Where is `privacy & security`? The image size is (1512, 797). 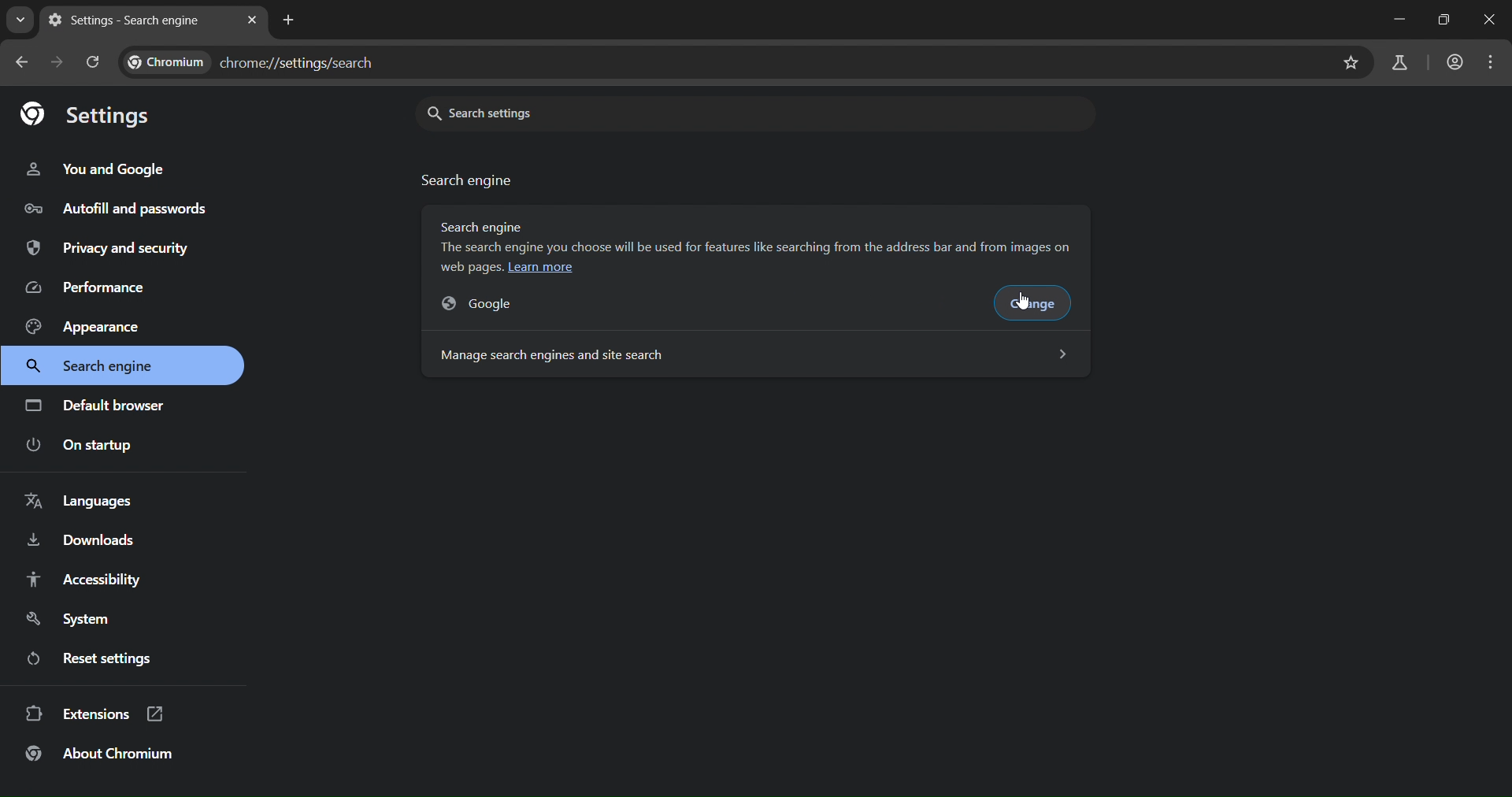
privacy & security is located at coordinates (107, 250).